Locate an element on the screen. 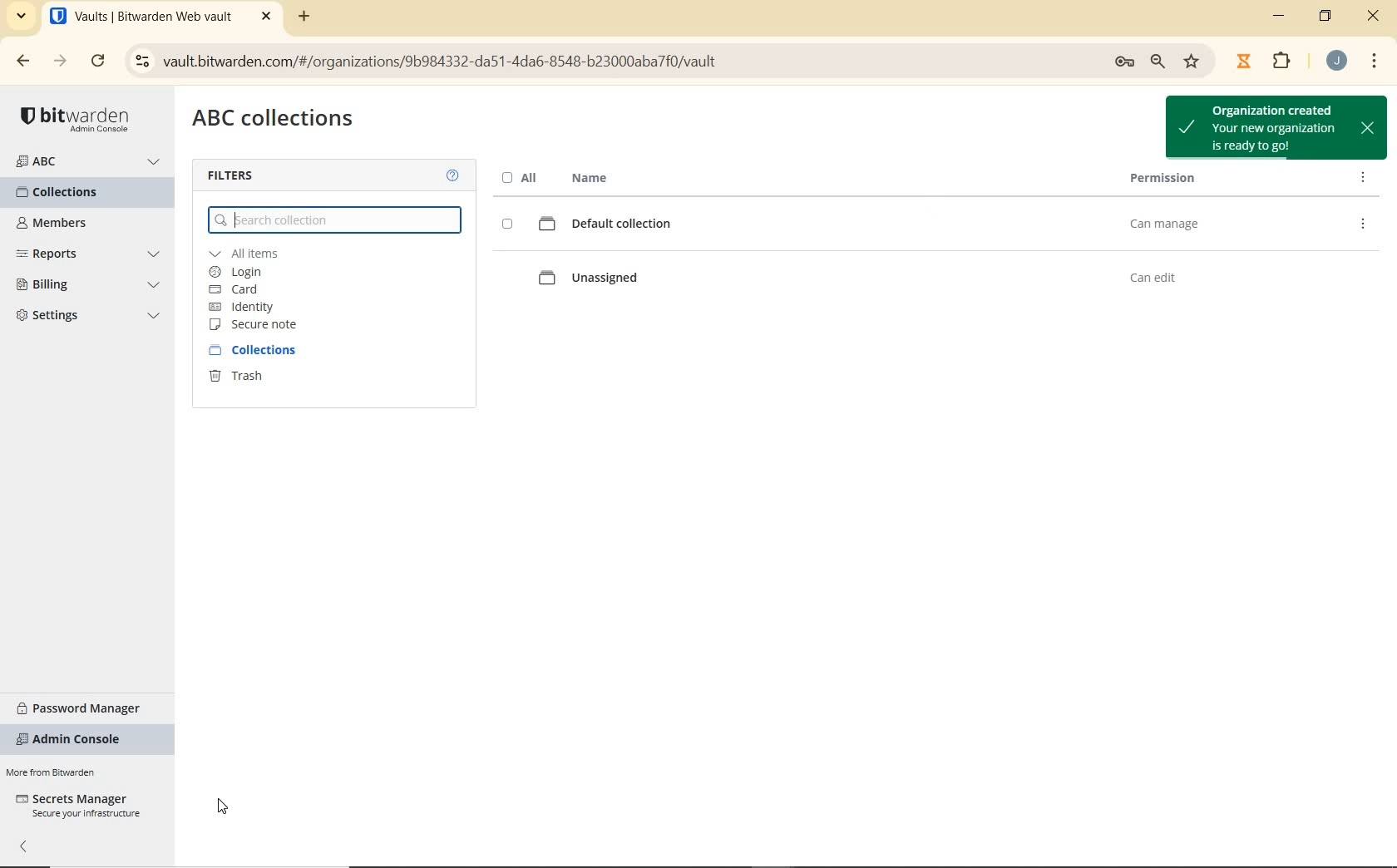  all is located at coordinates (516, 176).